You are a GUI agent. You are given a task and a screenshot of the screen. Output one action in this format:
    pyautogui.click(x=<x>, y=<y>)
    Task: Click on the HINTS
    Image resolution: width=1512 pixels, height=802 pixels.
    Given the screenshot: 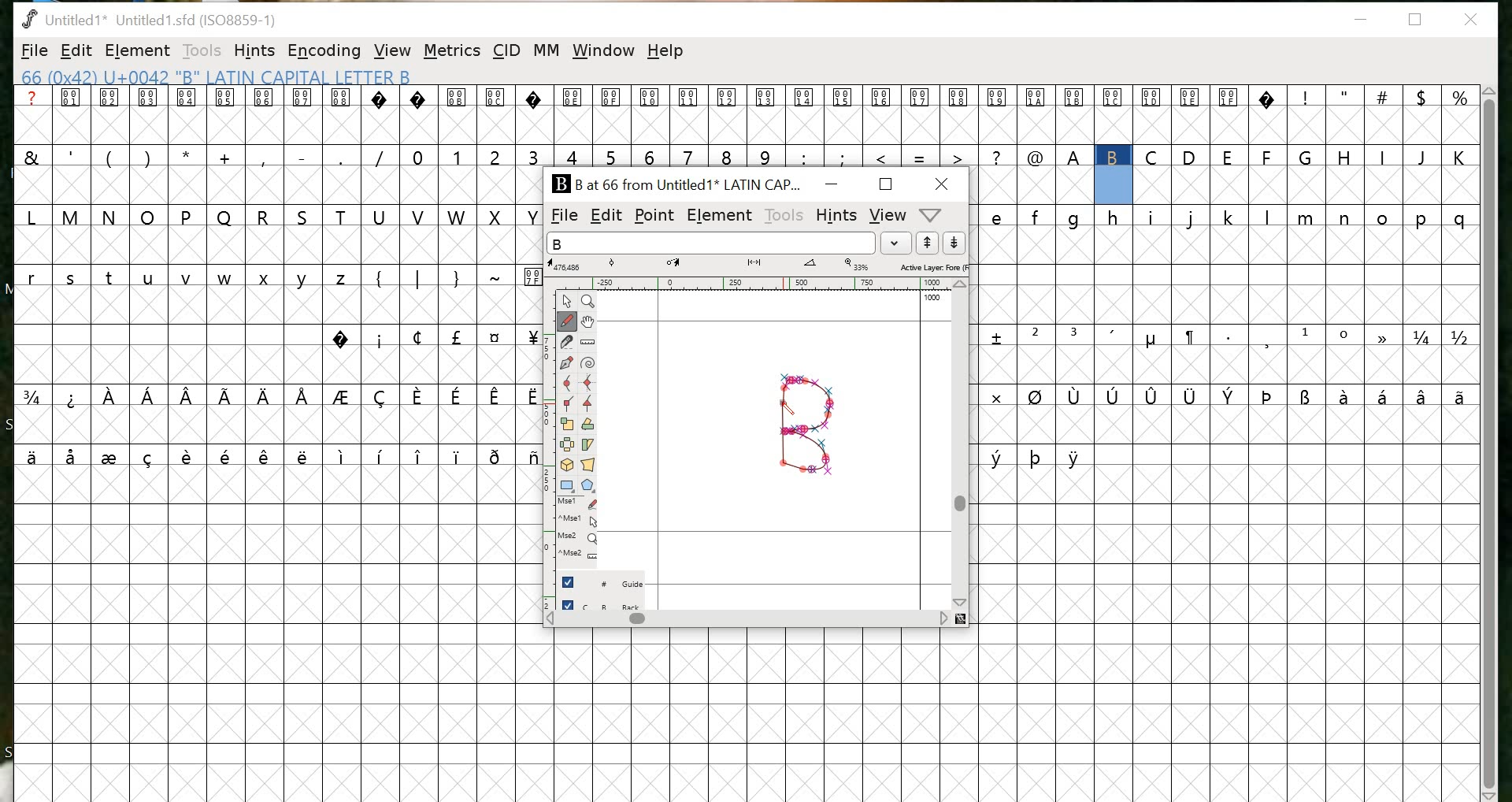 What is the action you would take?
    pyautogui.click(x=836, y=214)
    